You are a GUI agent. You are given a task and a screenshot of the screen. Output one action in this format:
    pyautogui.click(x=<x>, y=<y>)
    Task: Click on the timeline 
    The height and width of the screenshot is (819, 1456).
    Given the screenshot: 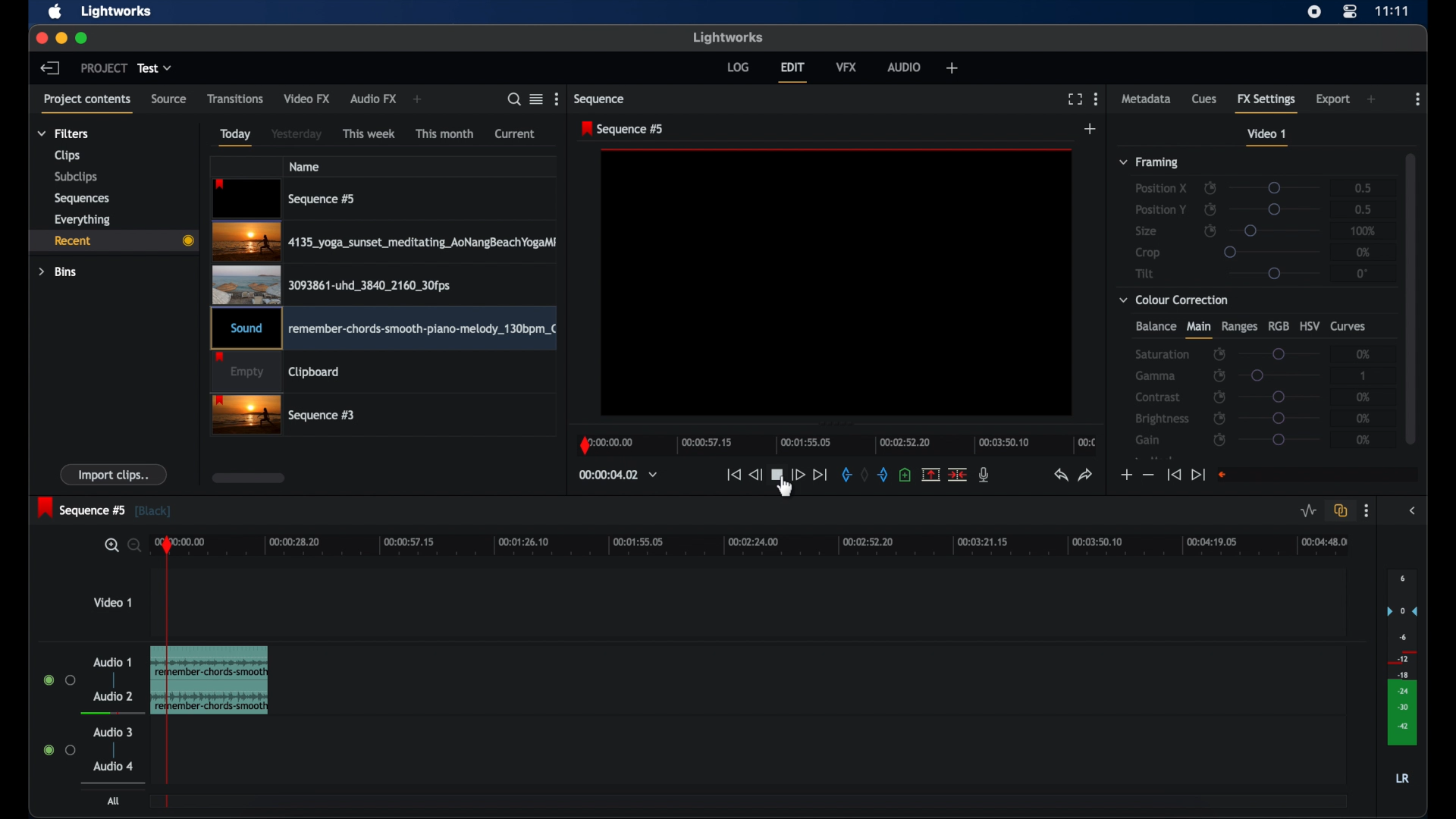 What is the action you would take?
    pyautogui.click(x=836, y=446)
    